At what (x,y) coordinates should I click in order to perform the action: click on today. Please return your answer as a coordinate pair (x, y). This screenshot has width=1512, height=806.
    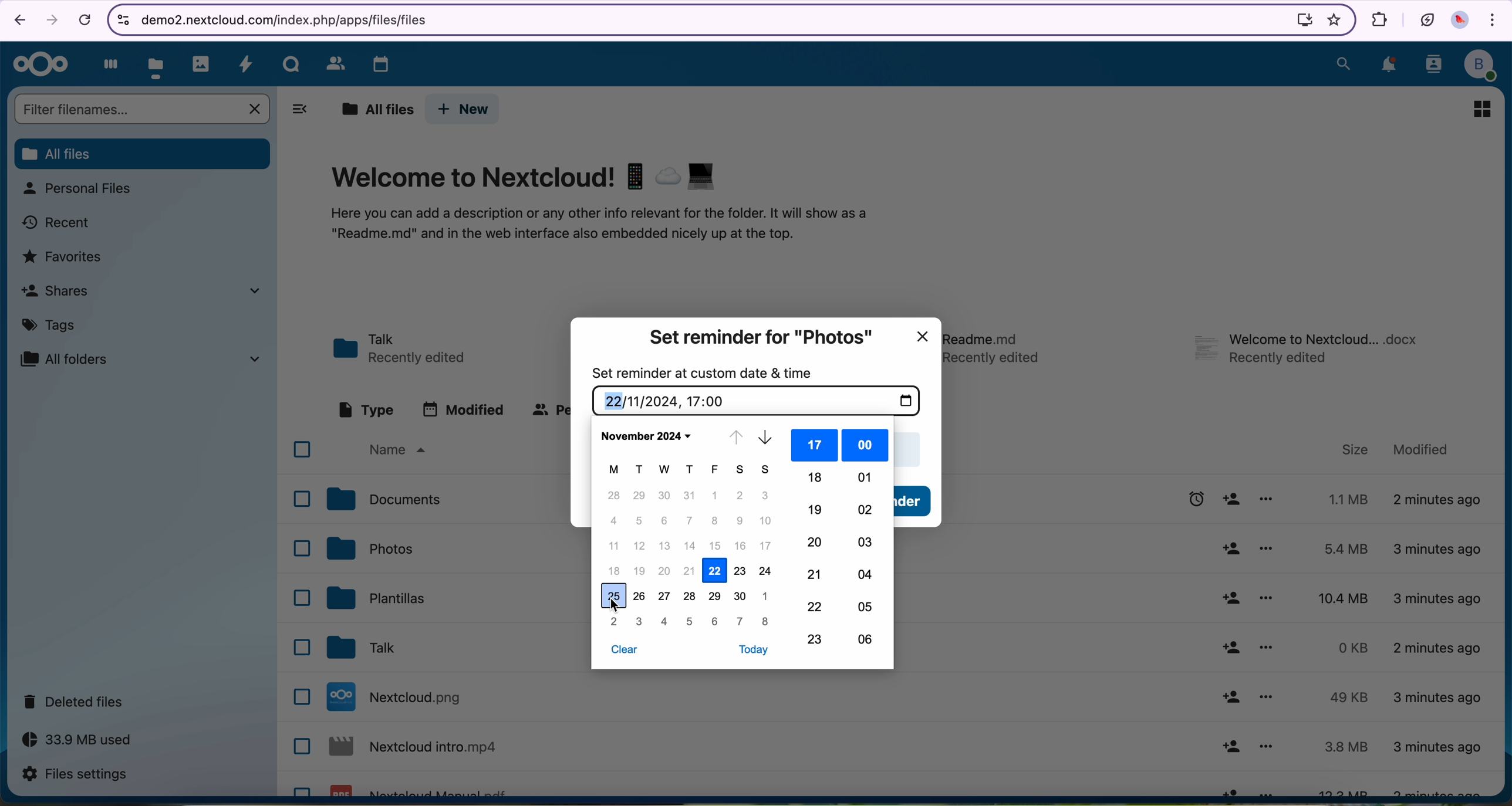
    Looking at the image, I should click on (756, 649).